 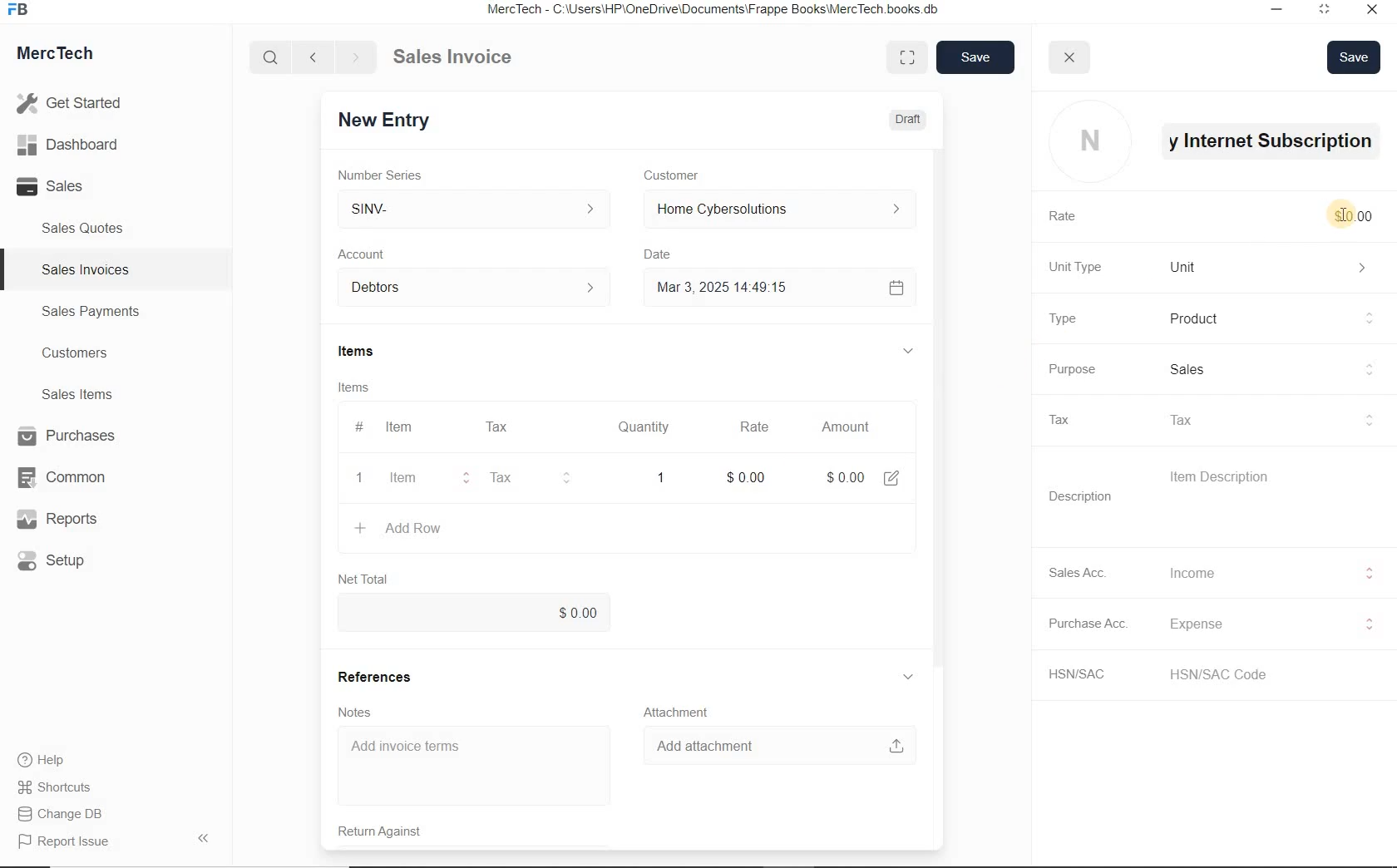 What do you see at coordinates (774, 210) in the screenshot?
I see `Home Cyber Solutions` at bounding box center [774, 210].